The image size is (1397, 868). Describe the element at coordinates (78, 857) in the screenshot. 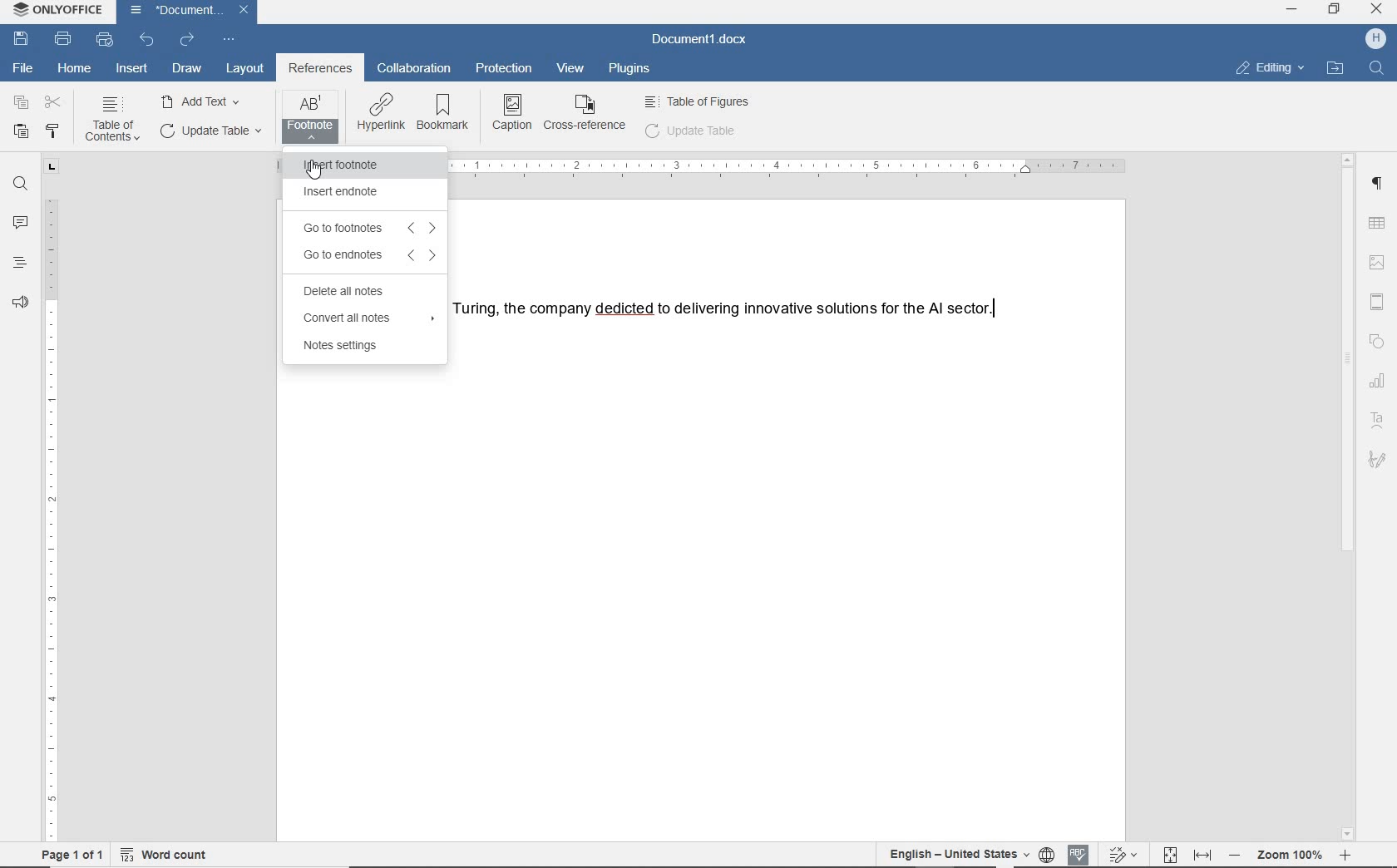

I see `page 1 of 1` at that location.